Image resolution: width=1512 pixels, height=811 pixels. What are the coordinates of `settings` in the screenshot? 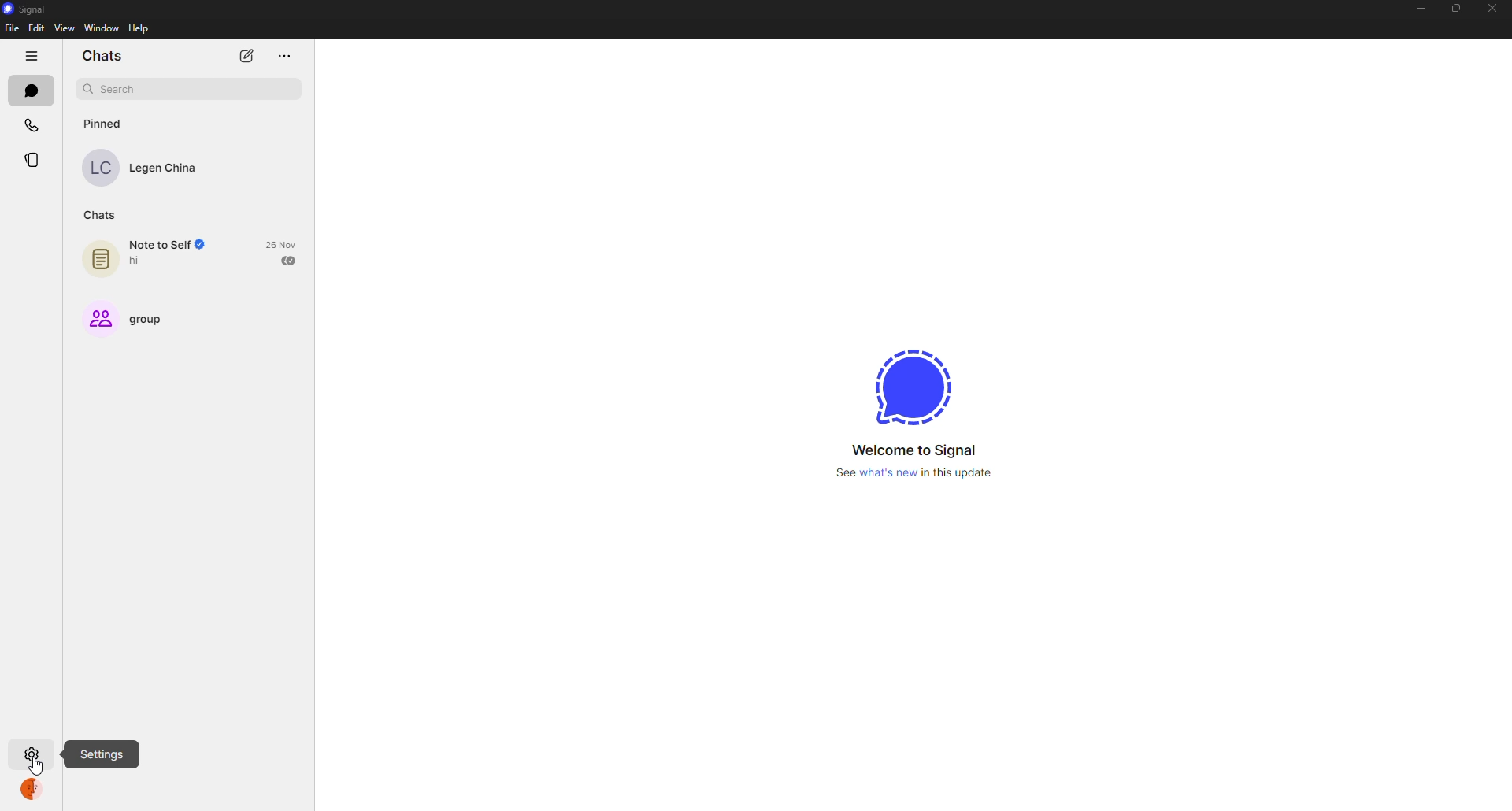 It's located at (33, 754).